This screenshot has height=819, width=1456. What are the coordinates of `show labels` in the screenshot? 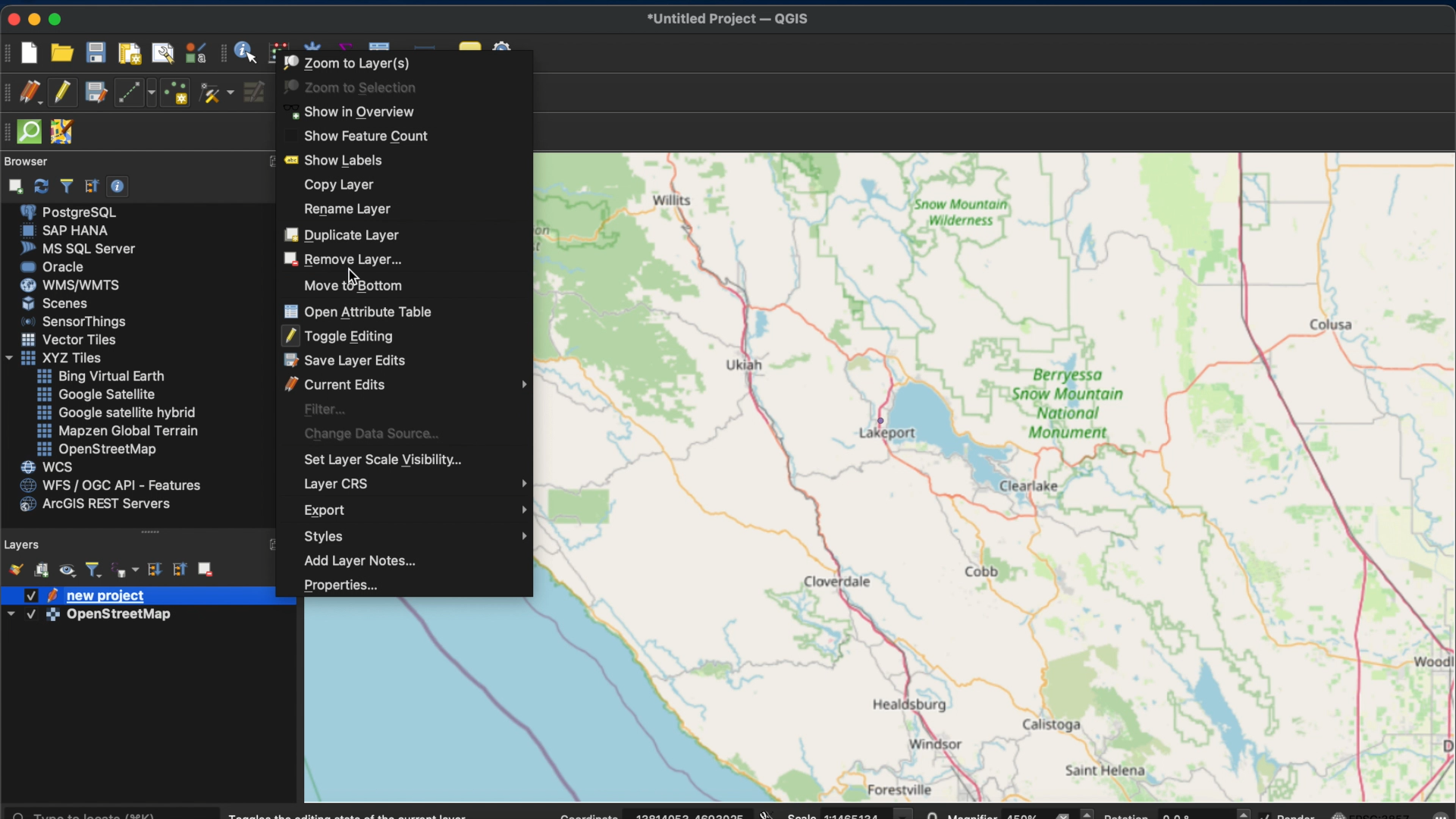 It's located at (335, 160).